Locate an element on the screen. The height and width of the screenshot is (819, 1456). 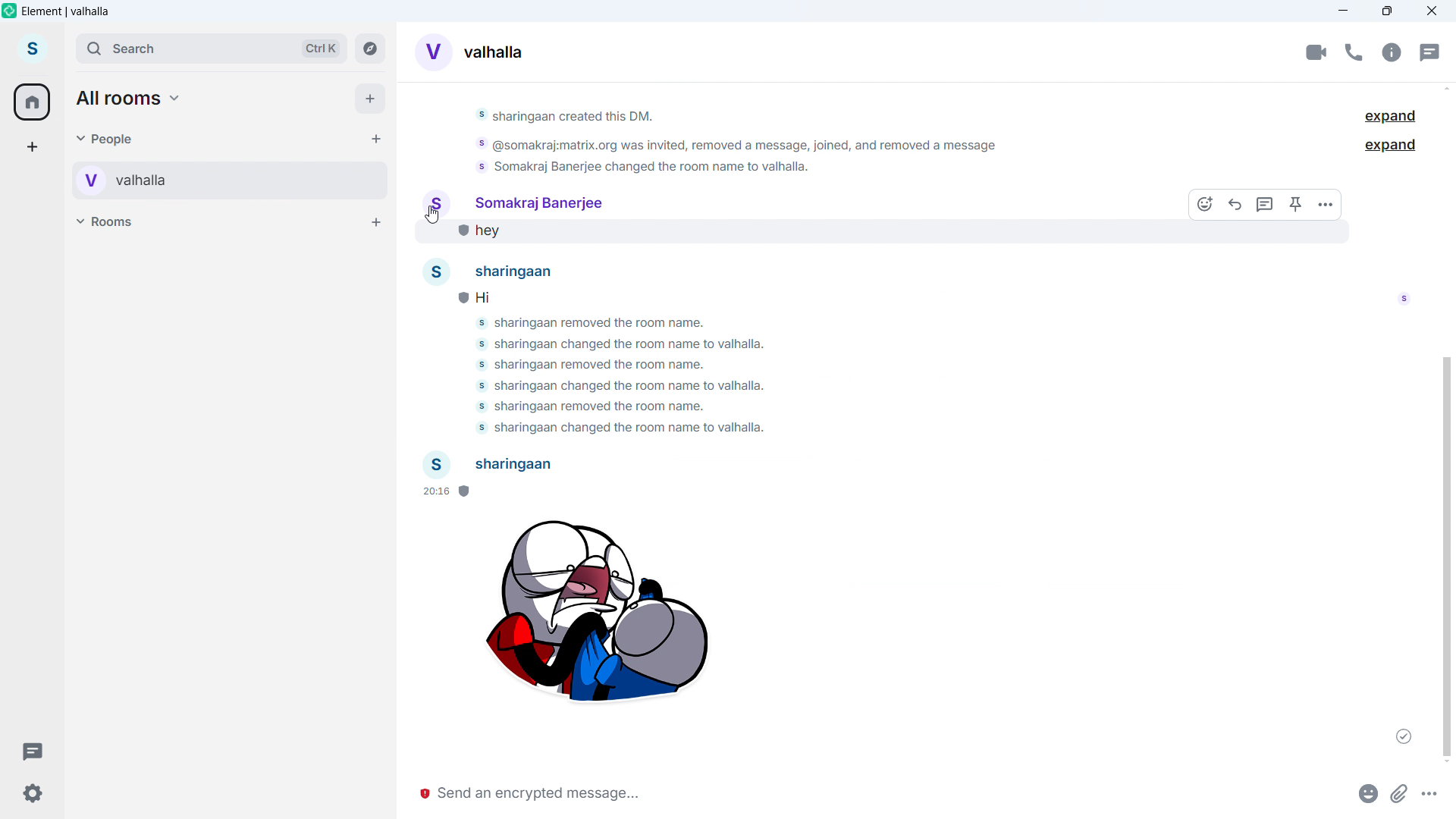
sharinggaan removed the room name is located at coordinates (595, 363).